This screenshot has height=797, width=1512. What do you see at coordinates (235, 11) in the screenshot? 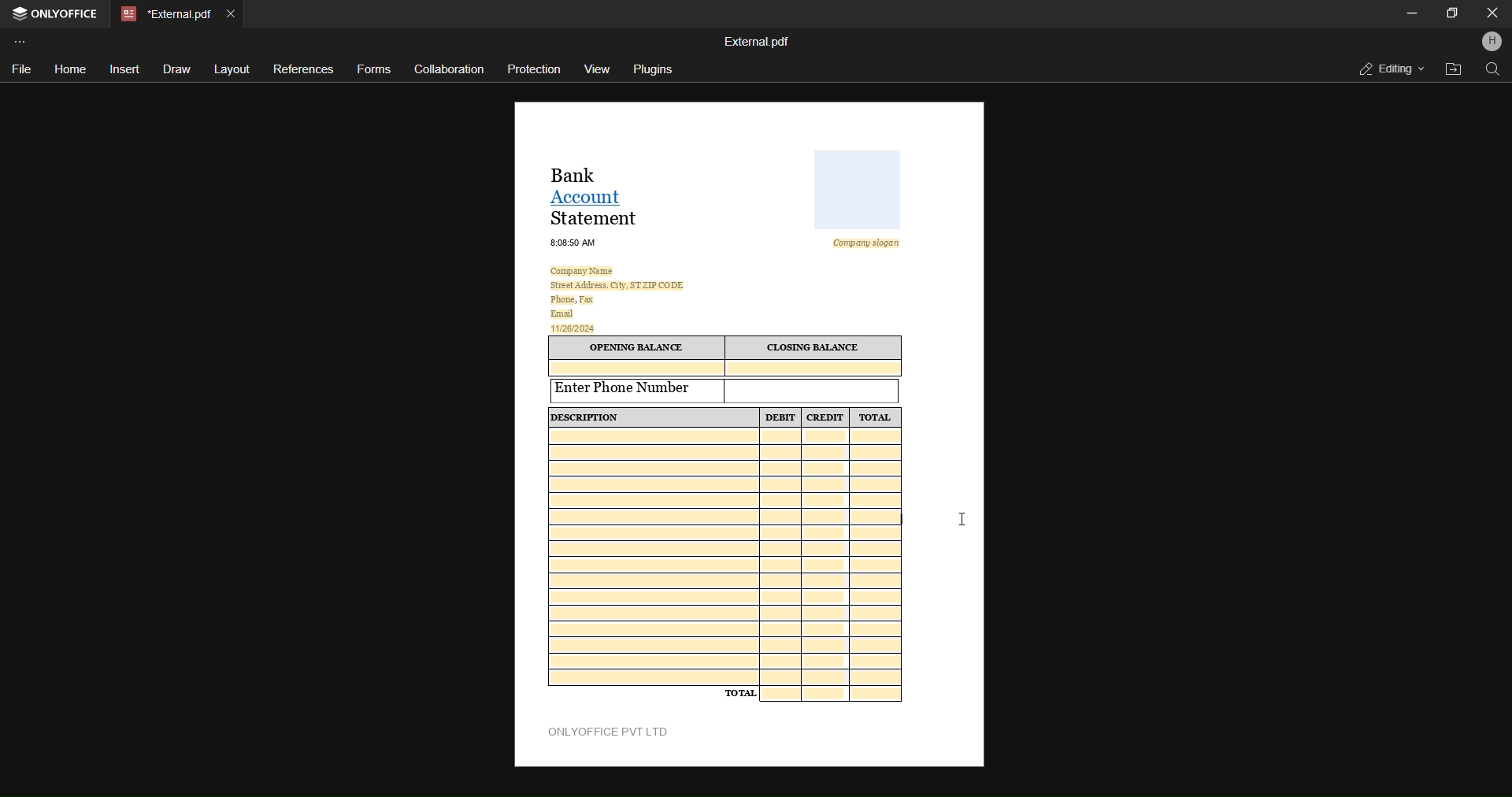
I see `close current open tab` at bounding box center [235, 11].